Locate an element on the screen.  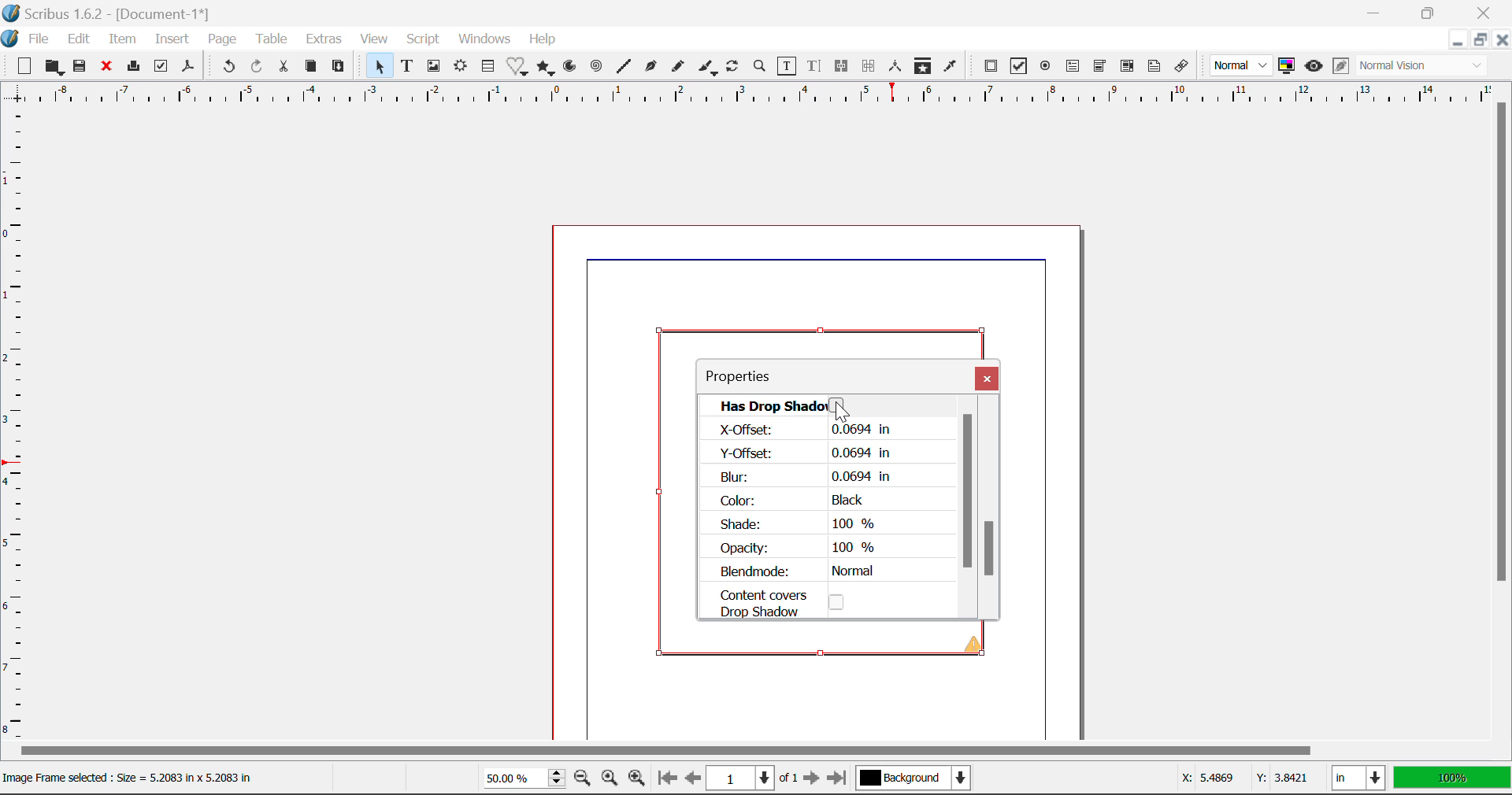
Has Drop Shadow is located at coordinates (828, 405).